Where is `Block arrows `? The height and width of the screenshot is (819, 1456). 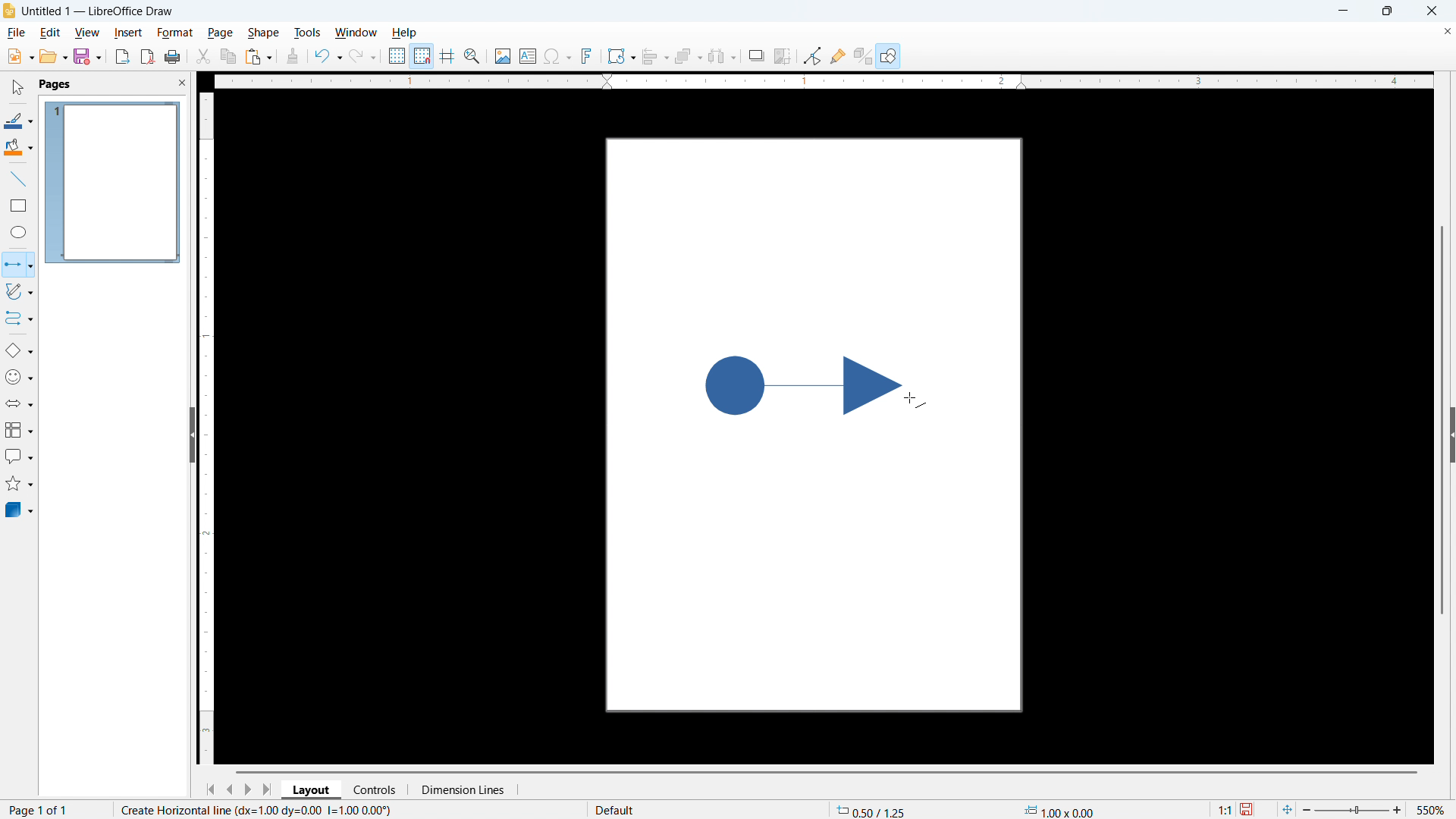 Block arrows  is located at coordinates (20, 404).